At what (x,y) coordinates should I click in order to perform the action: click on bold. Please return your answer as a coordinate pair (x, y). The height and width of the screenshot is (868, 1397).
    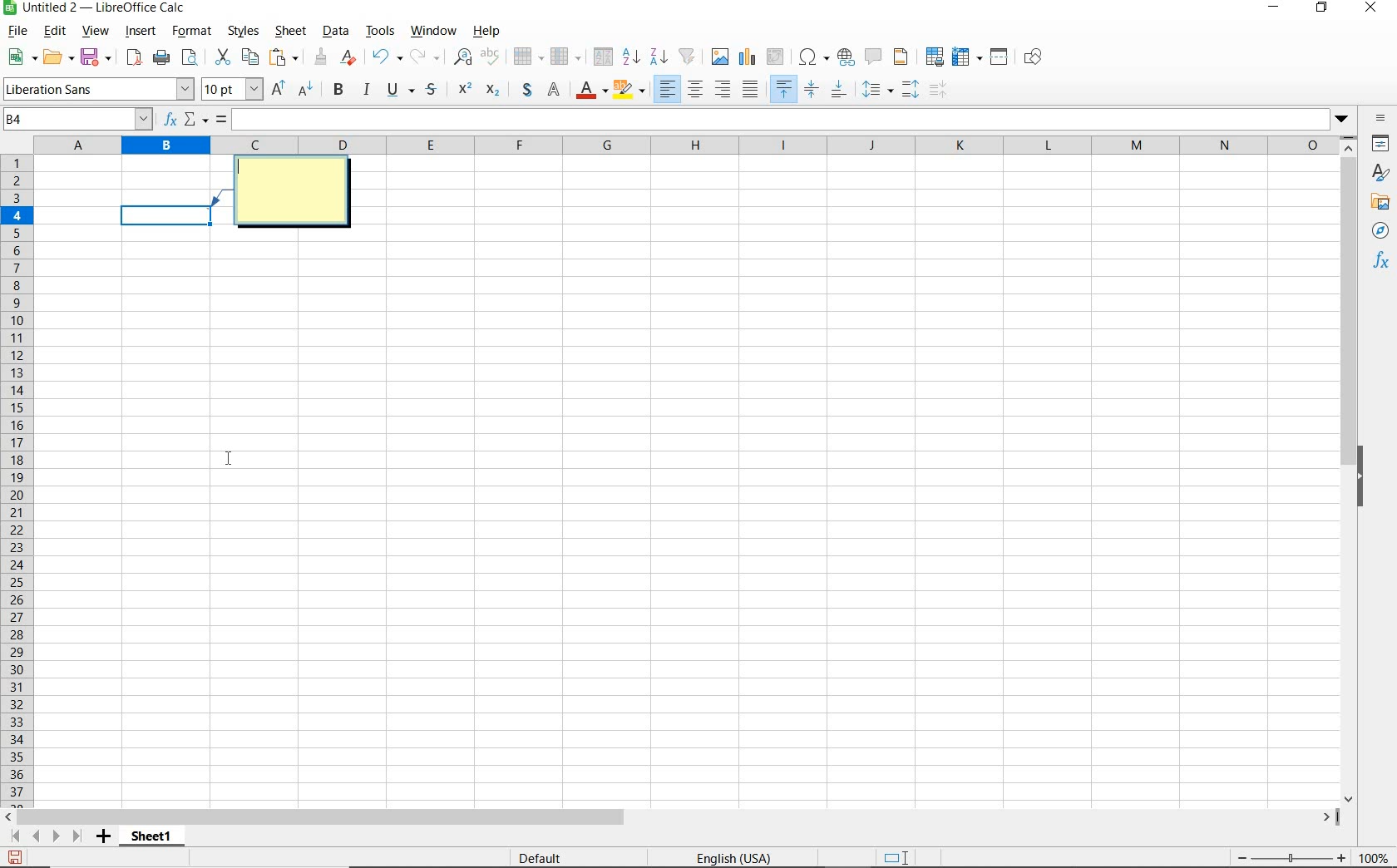
    Looking at the image, I should click on (338, 90).